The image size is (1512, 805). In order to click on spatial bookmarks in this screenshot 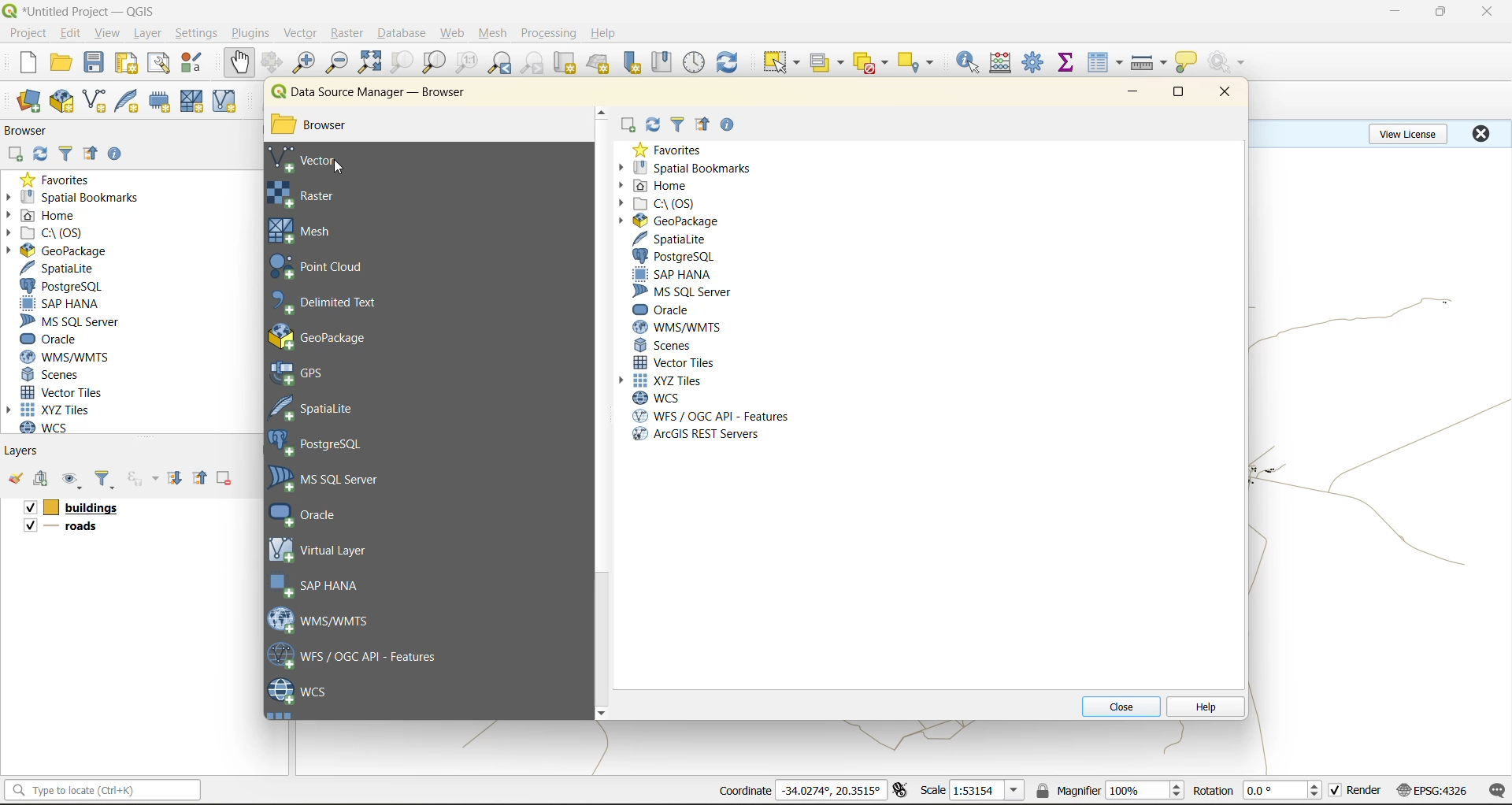, I will do `click(73, 198)`.